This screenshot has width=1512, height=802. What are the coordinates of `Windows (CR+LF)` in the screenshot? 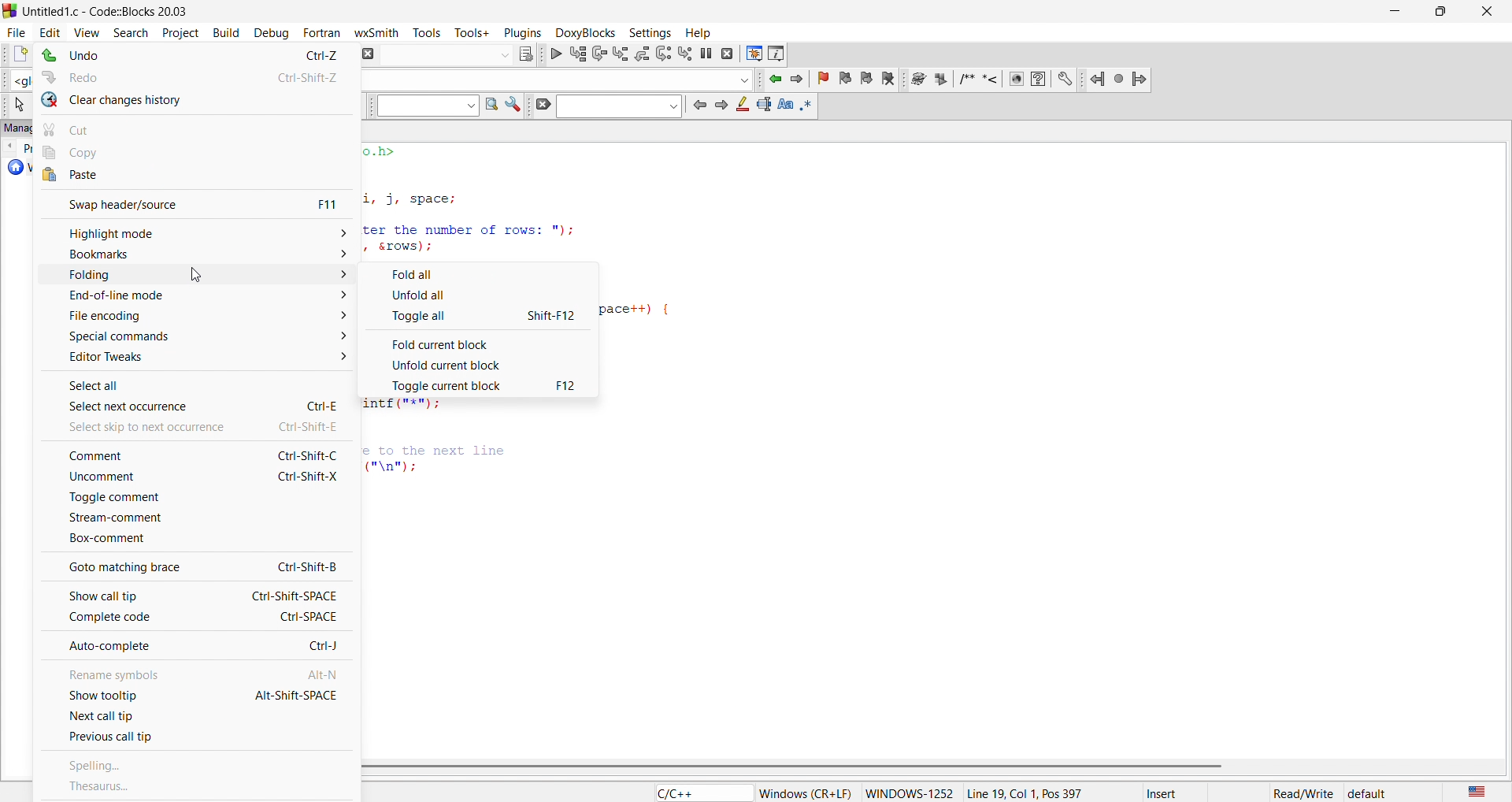 It's located at (806, 793).